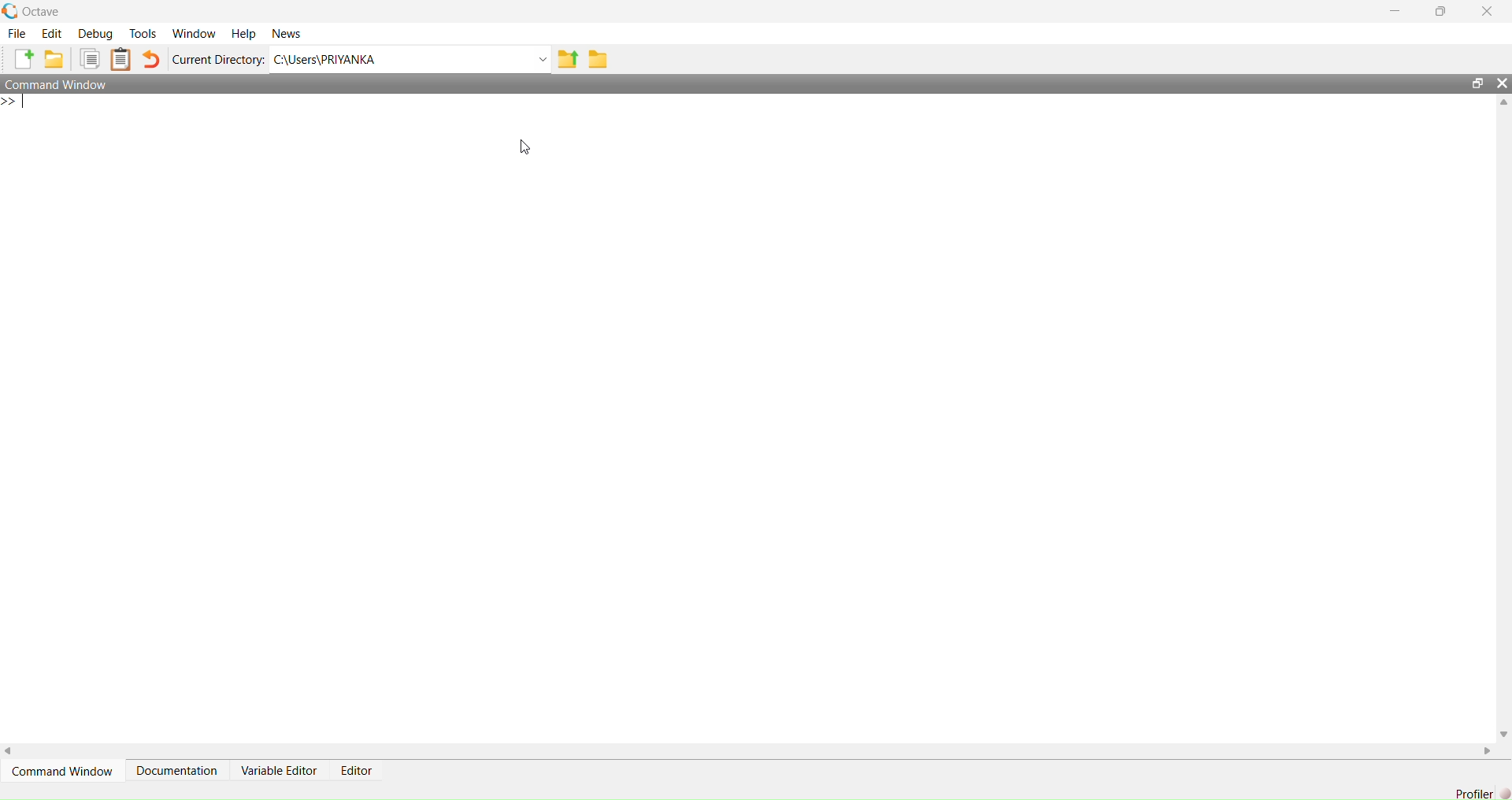 This screenshot has height=800, width=1512. What do you see at coordinates (1485, 11) in the screenshot?
I see `Close` at bounding box center [1485, 11].